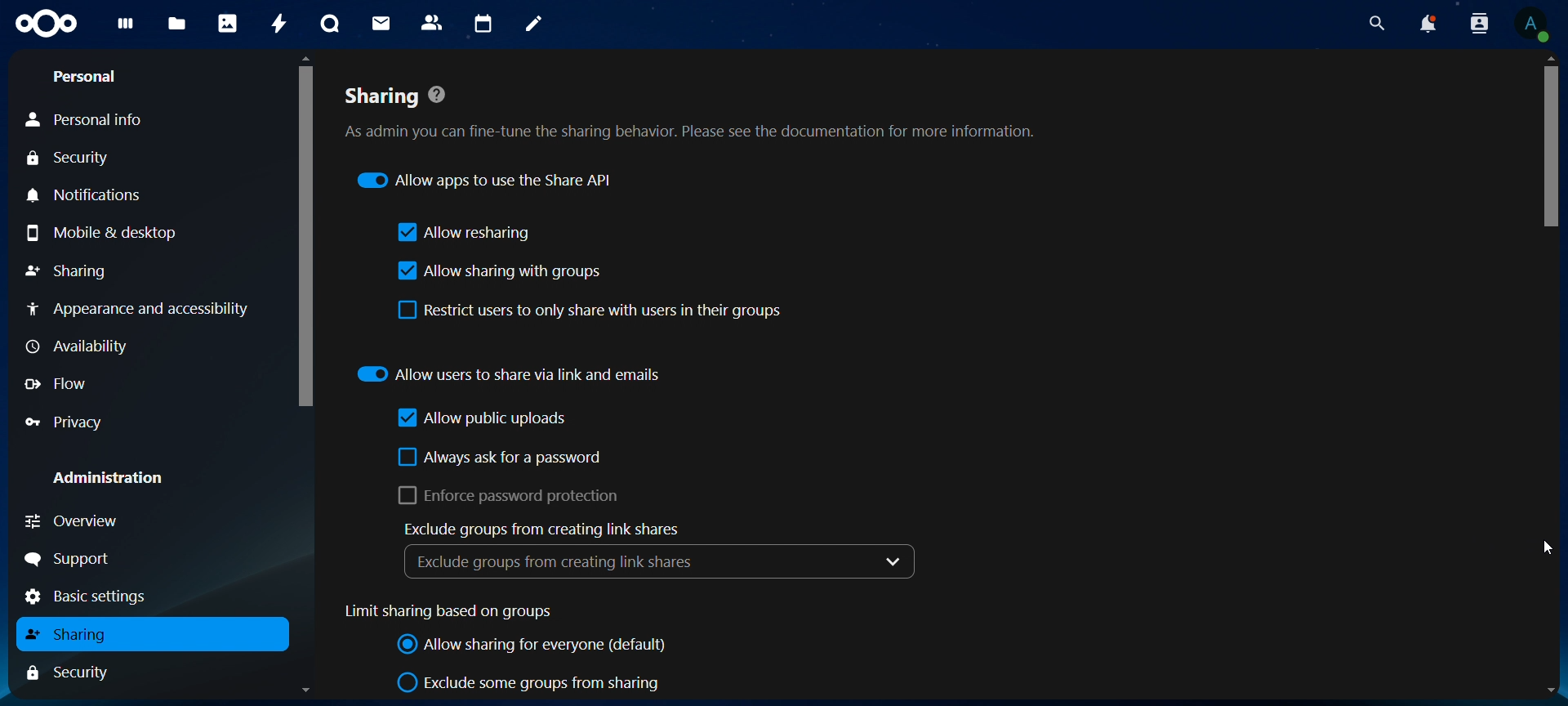 The width and height of the screenshot is (1568, 706). What do you see at coordinates (479, 417) in the screenshot?
I see `allow public uploads` at bounding box center [479, 417].